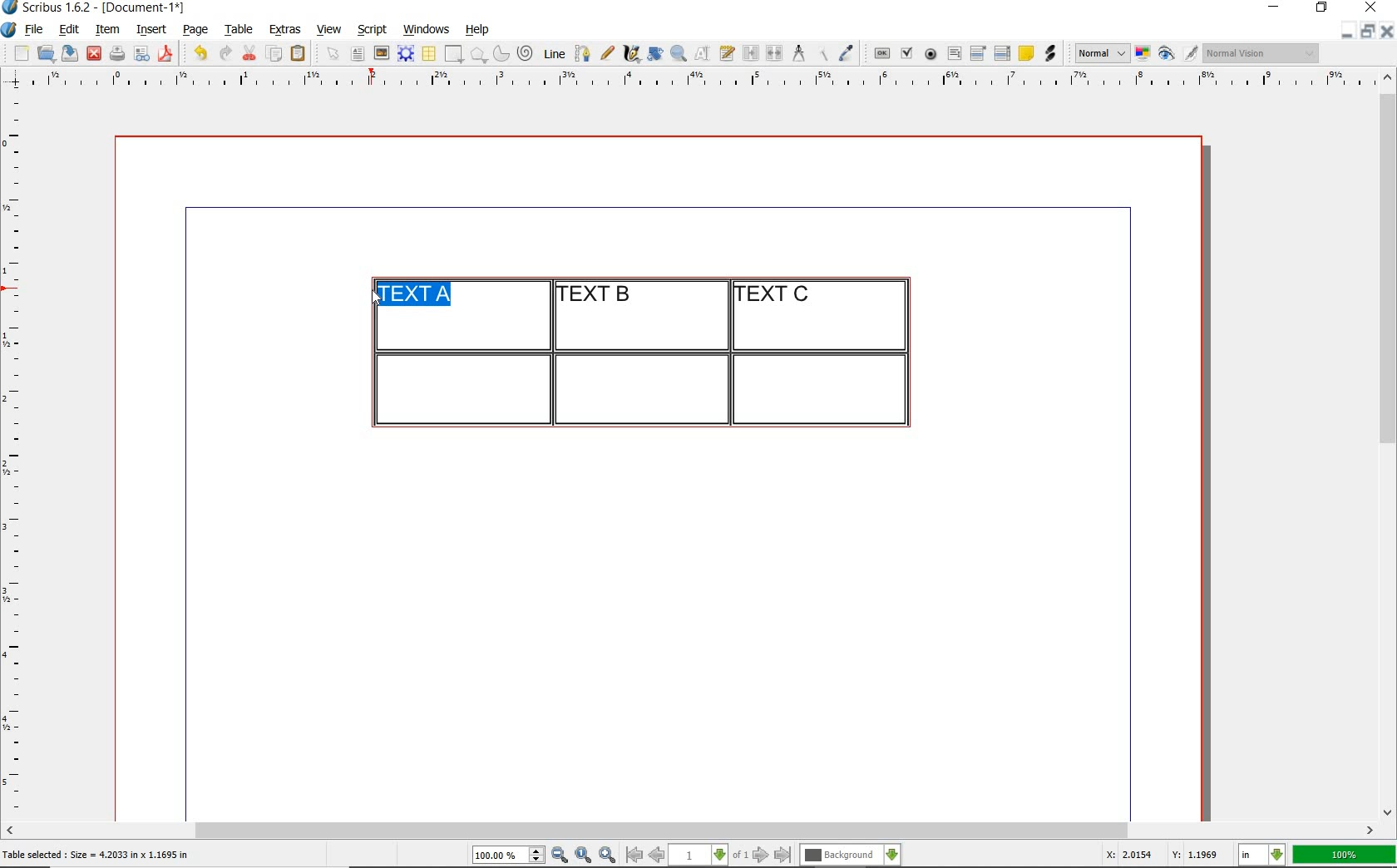  What do you see at coordinates (372, 29) in the screenshot?
I see `script` at bounding box center [372, 29].